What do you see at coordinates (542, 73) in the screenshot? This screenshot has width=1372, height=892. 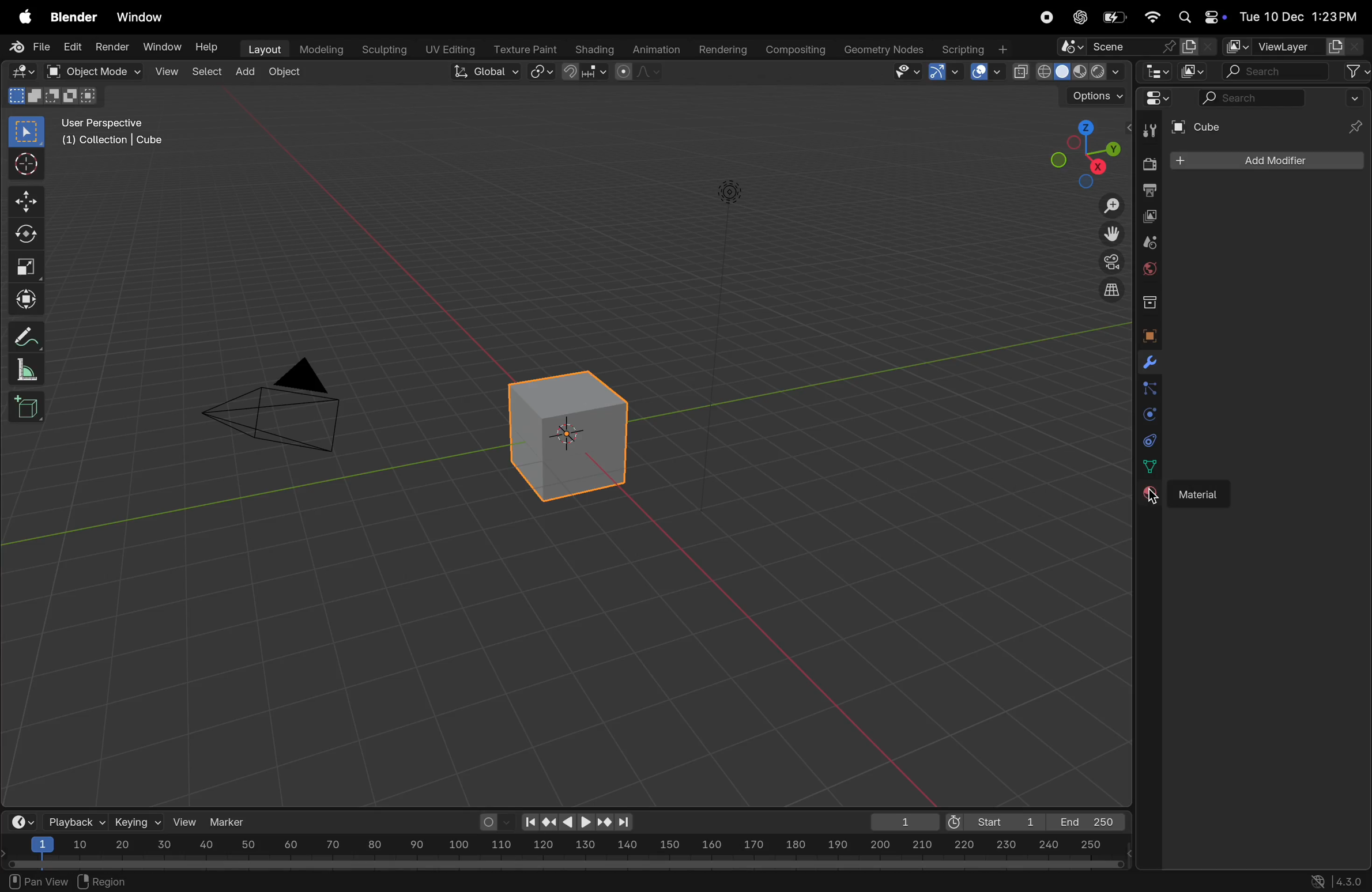 I see `snap` at bounding box center [542, 73].